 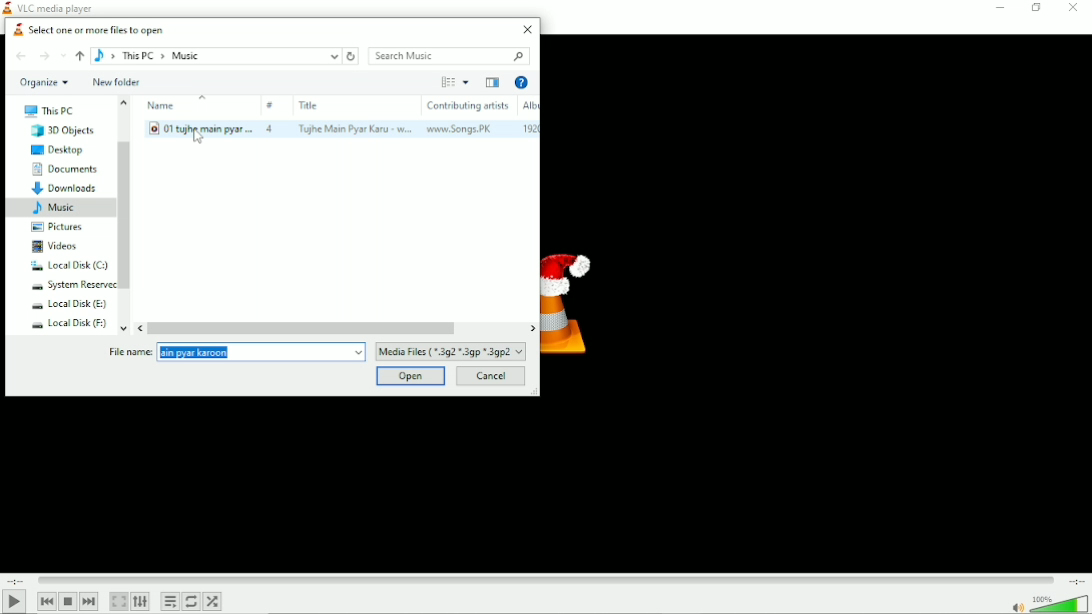 What do you see at coordinates (1074, 580) in the screenshot?
I see `Total duration` at bounding box center [1074, 580].